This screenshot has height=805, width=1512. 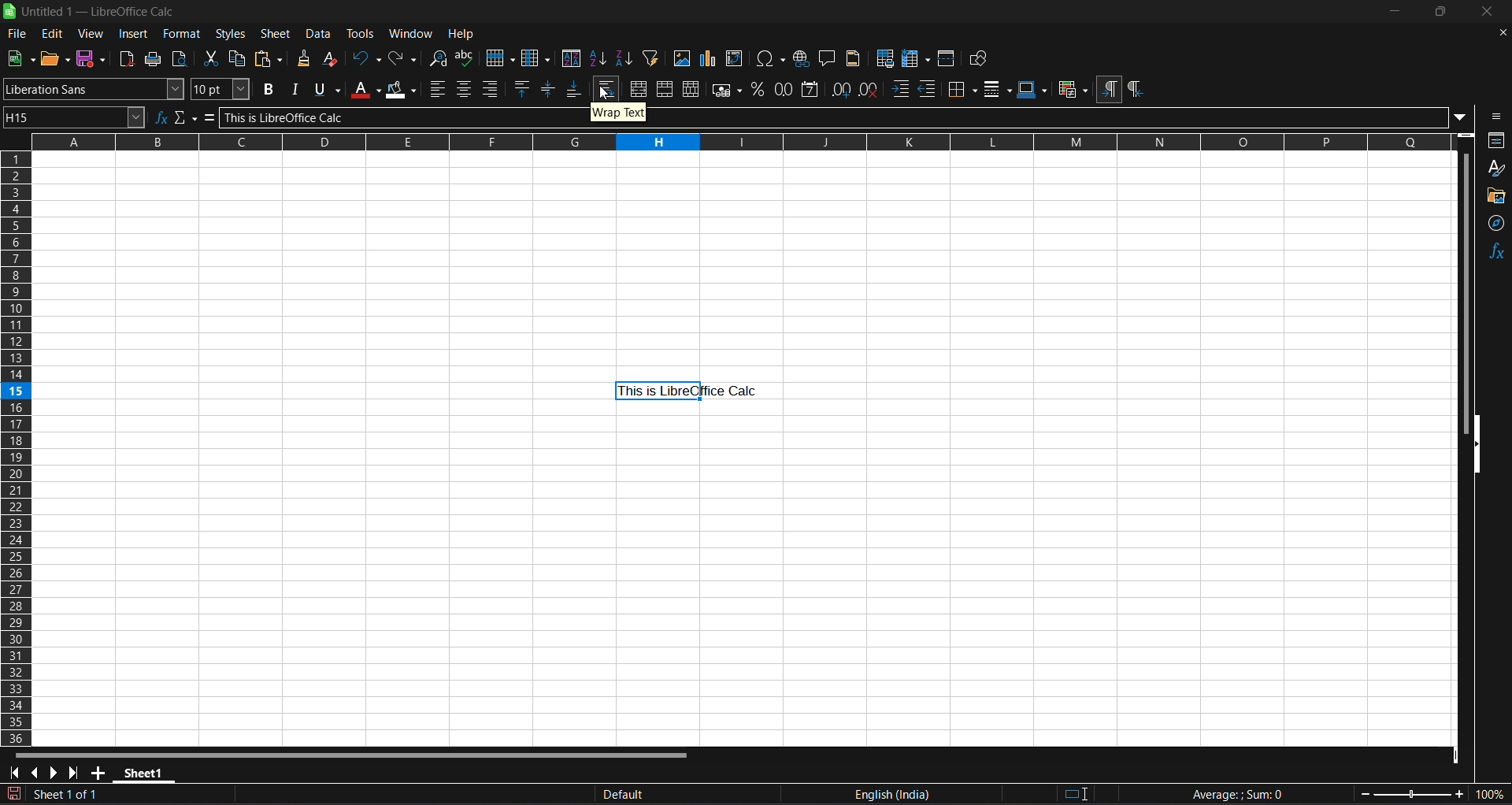 I want to click on align center, so click(x=465, y=88).